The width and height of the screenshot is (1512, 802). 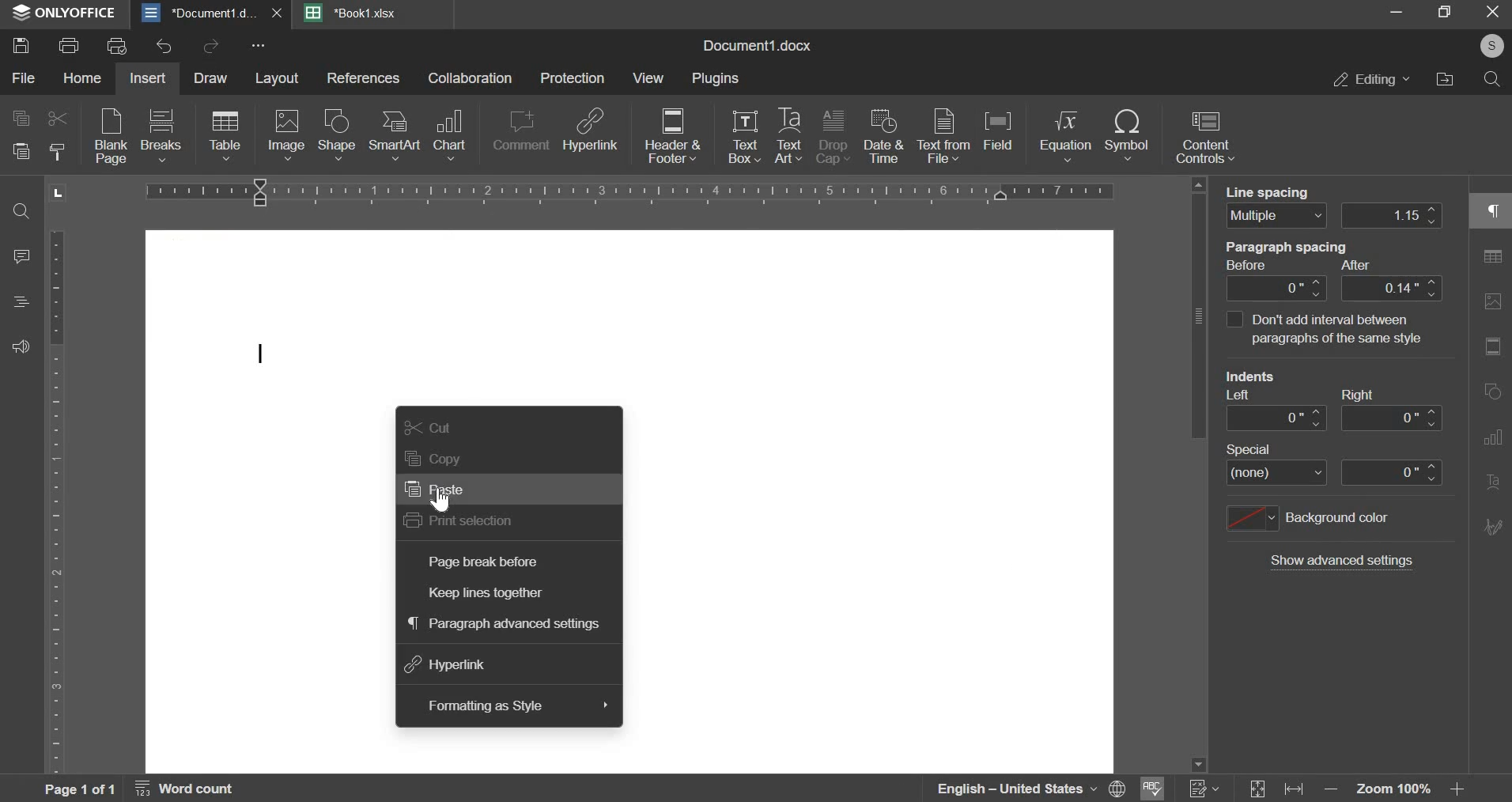 What do you see at coordinates (447, 665) in the screenshot?
I see `hyperlink` at bounding box center [447, 665].